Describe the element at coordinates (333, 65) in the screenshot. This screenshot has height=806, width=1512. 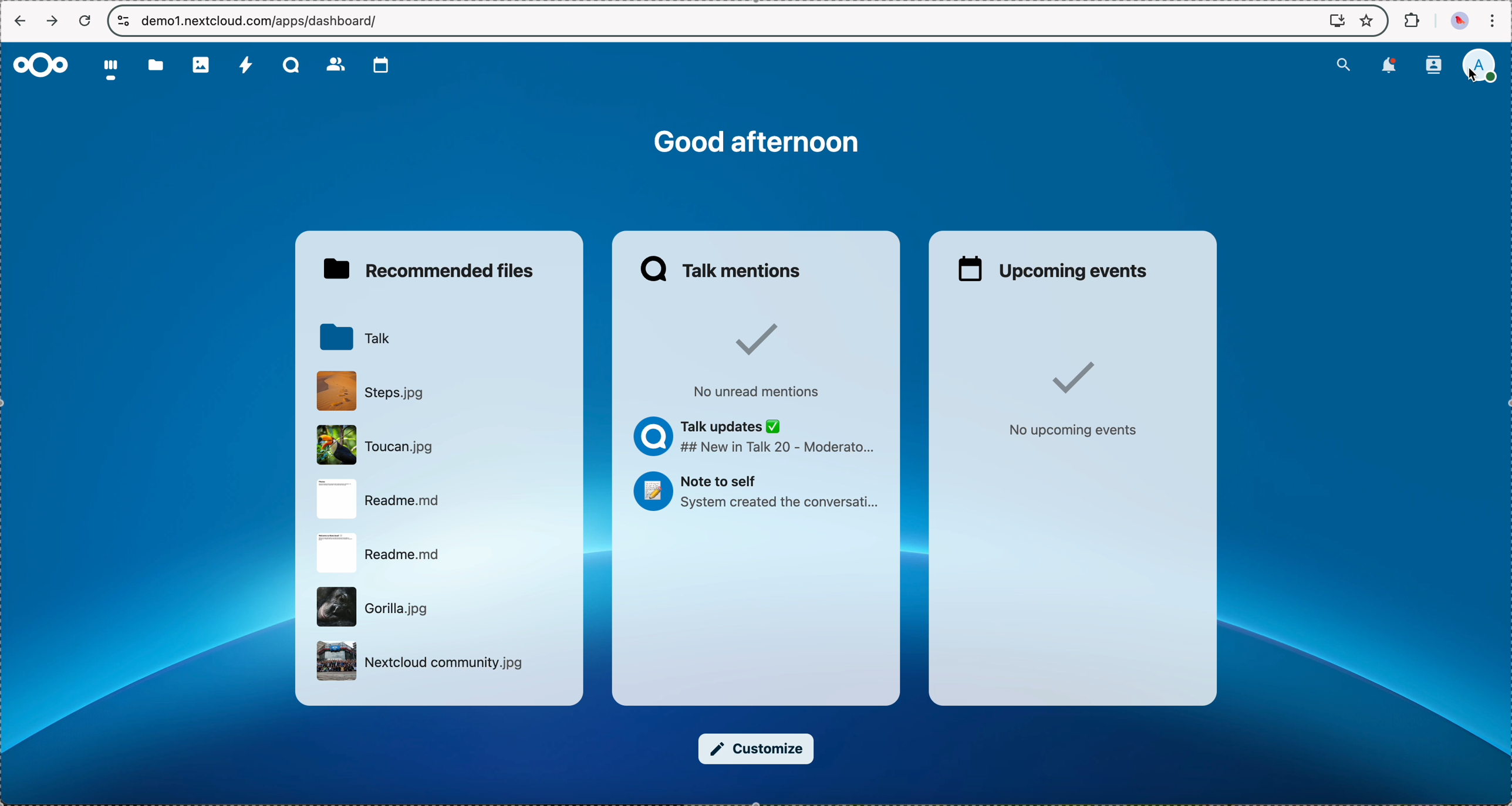
I see `contacts` at that location.